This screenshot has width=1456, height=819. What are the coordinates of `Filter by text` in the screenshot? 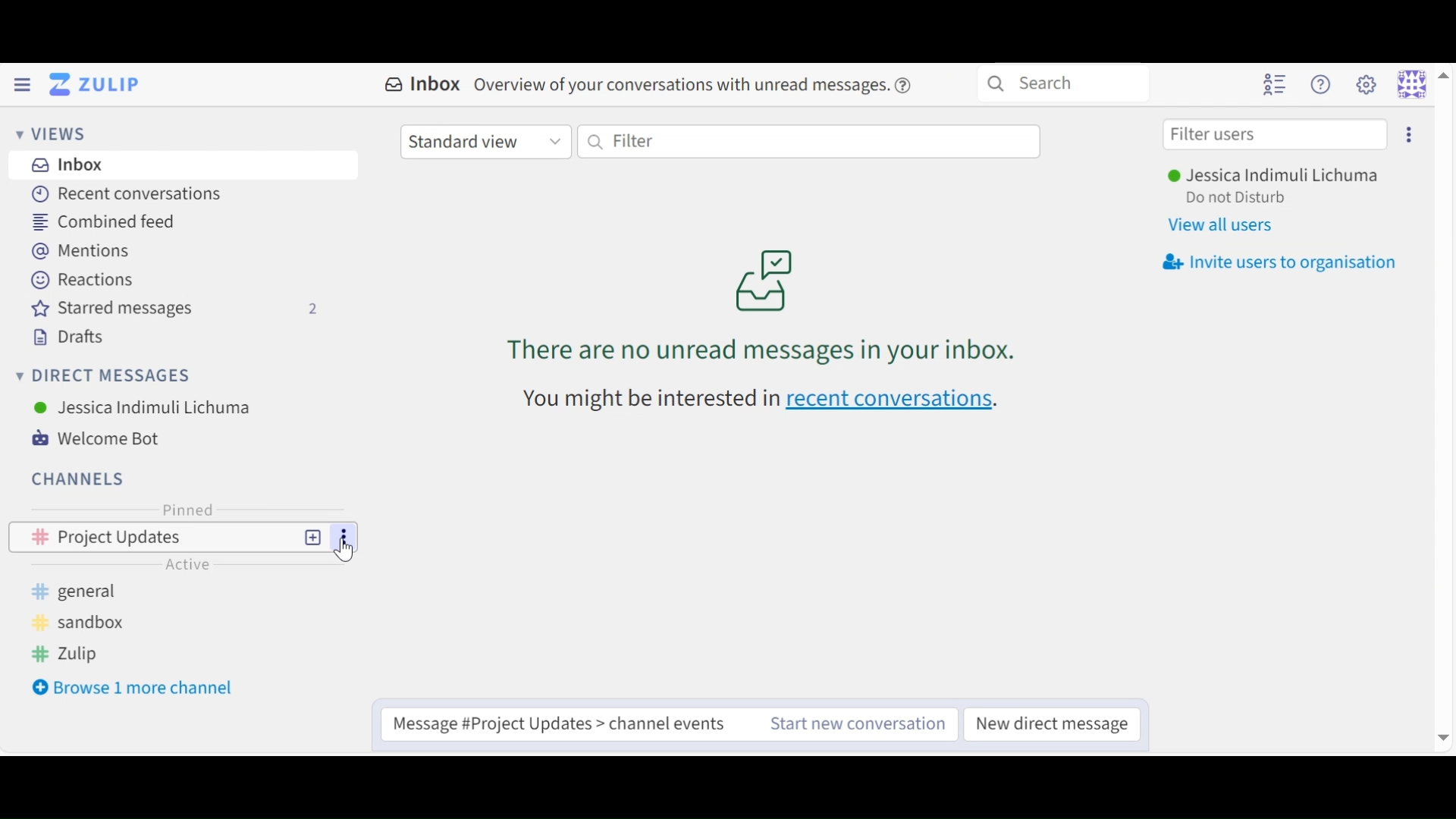 It's located at (811, 142).